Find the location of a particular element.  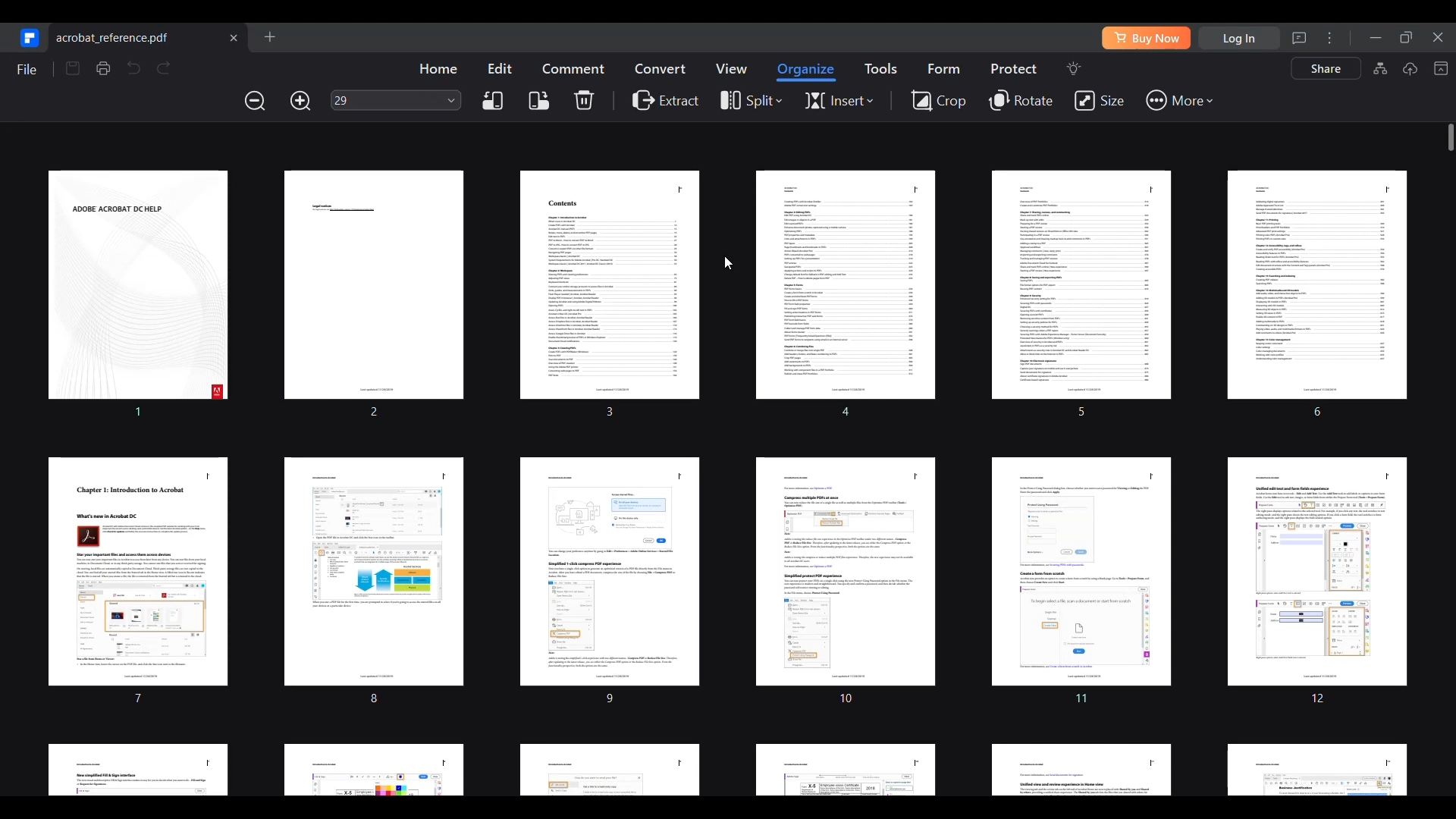

Show interface in a smaller tab is located at coordinates (1406, 37).